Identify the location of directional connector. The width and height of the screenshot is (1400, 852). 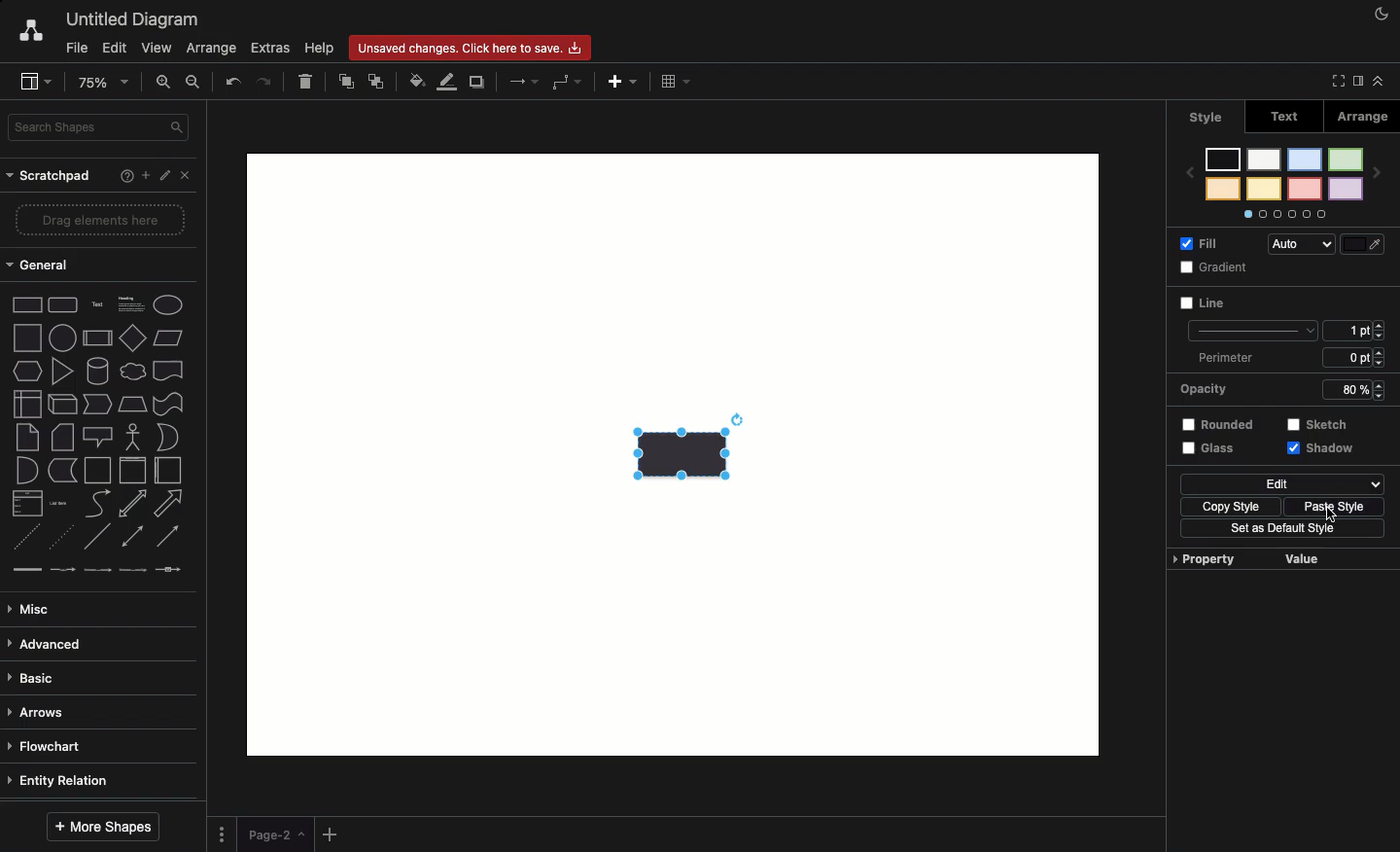
(168, 535).